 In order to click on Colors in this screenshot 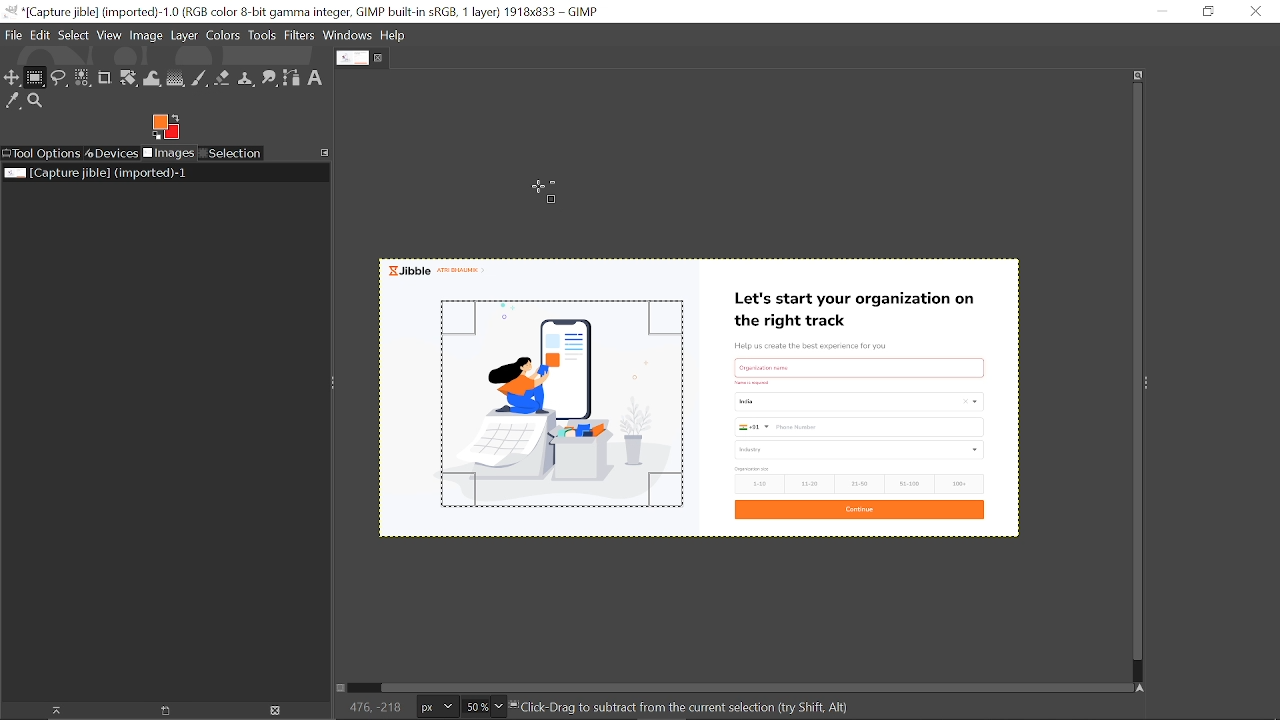, I will do `click(224, 36)`.